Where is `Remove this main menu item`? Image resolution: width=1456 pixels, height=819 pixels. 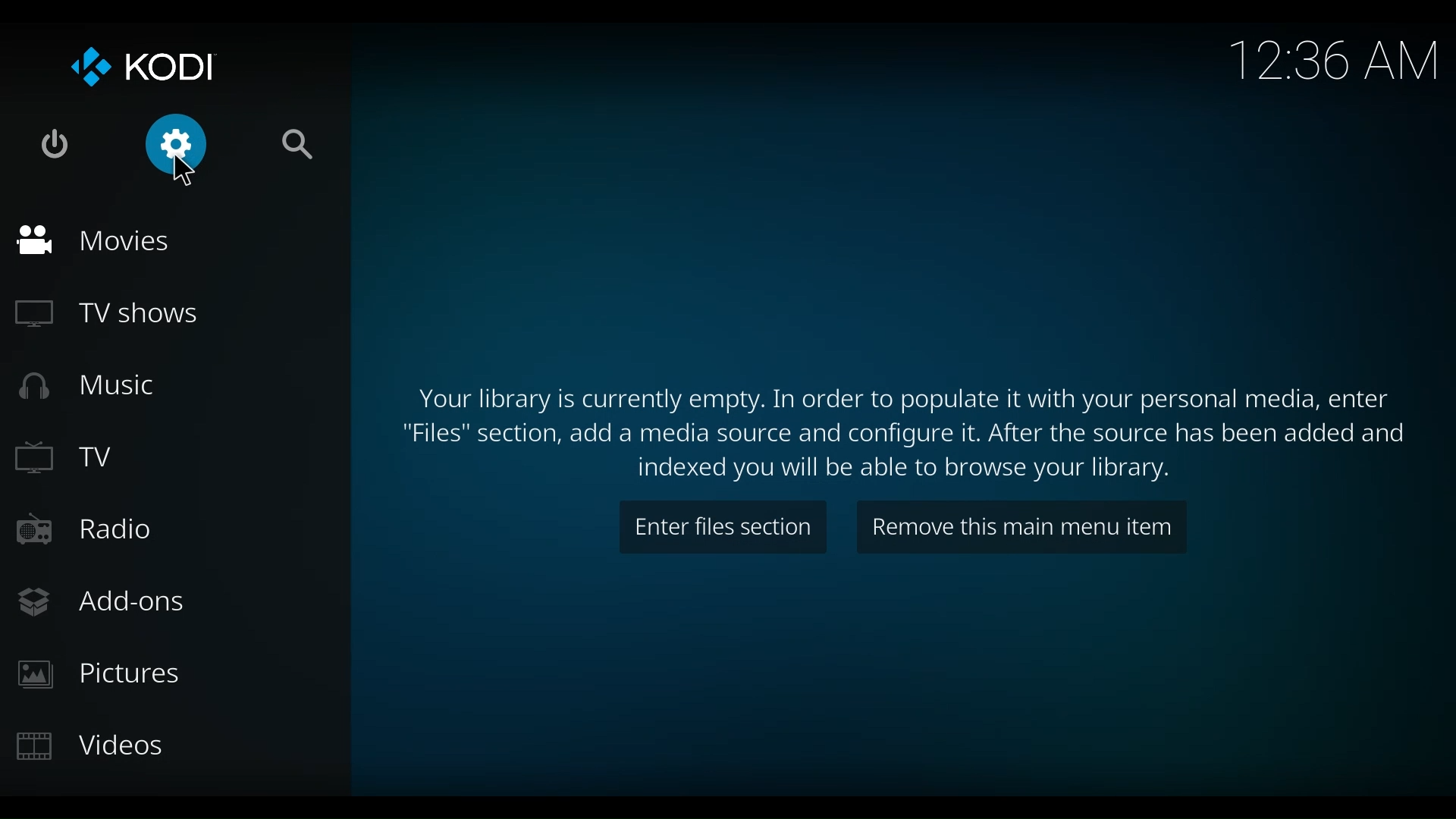
Remove this main menu item is located at coordinates (1022, 527).